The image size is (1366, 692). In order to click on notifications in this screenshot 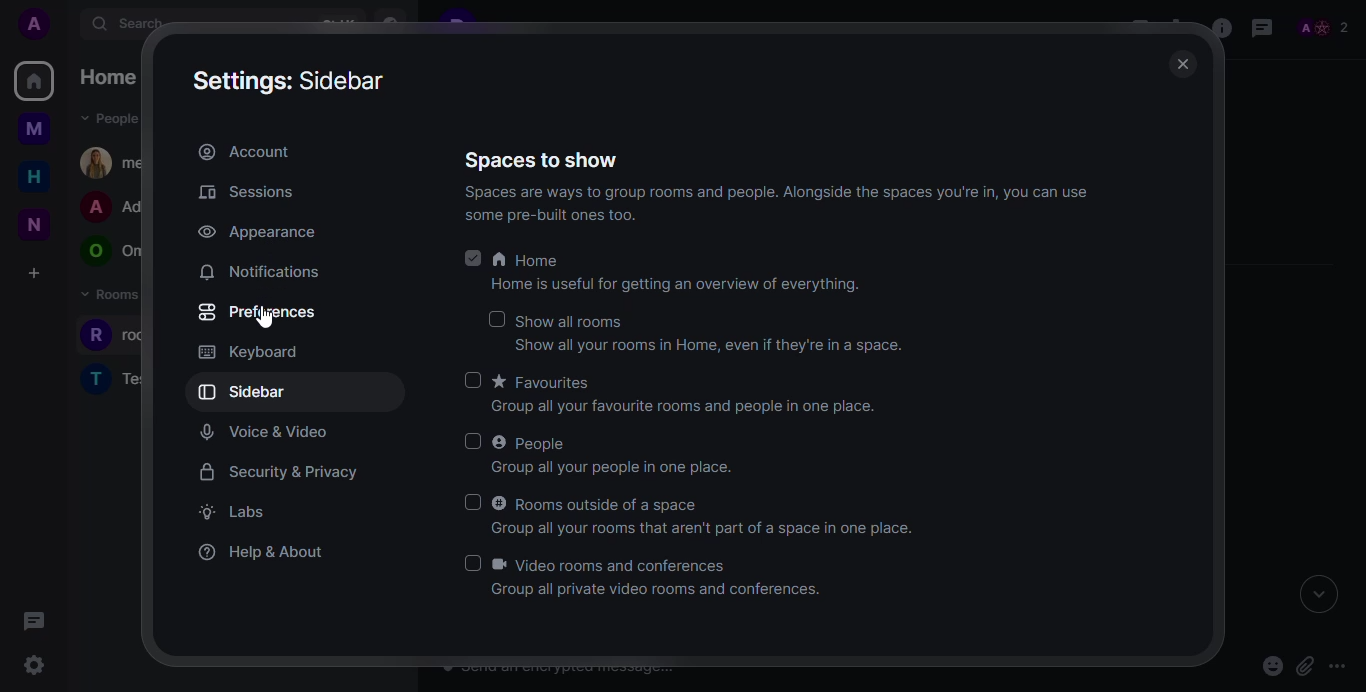, I will do `click(259, 271)`.